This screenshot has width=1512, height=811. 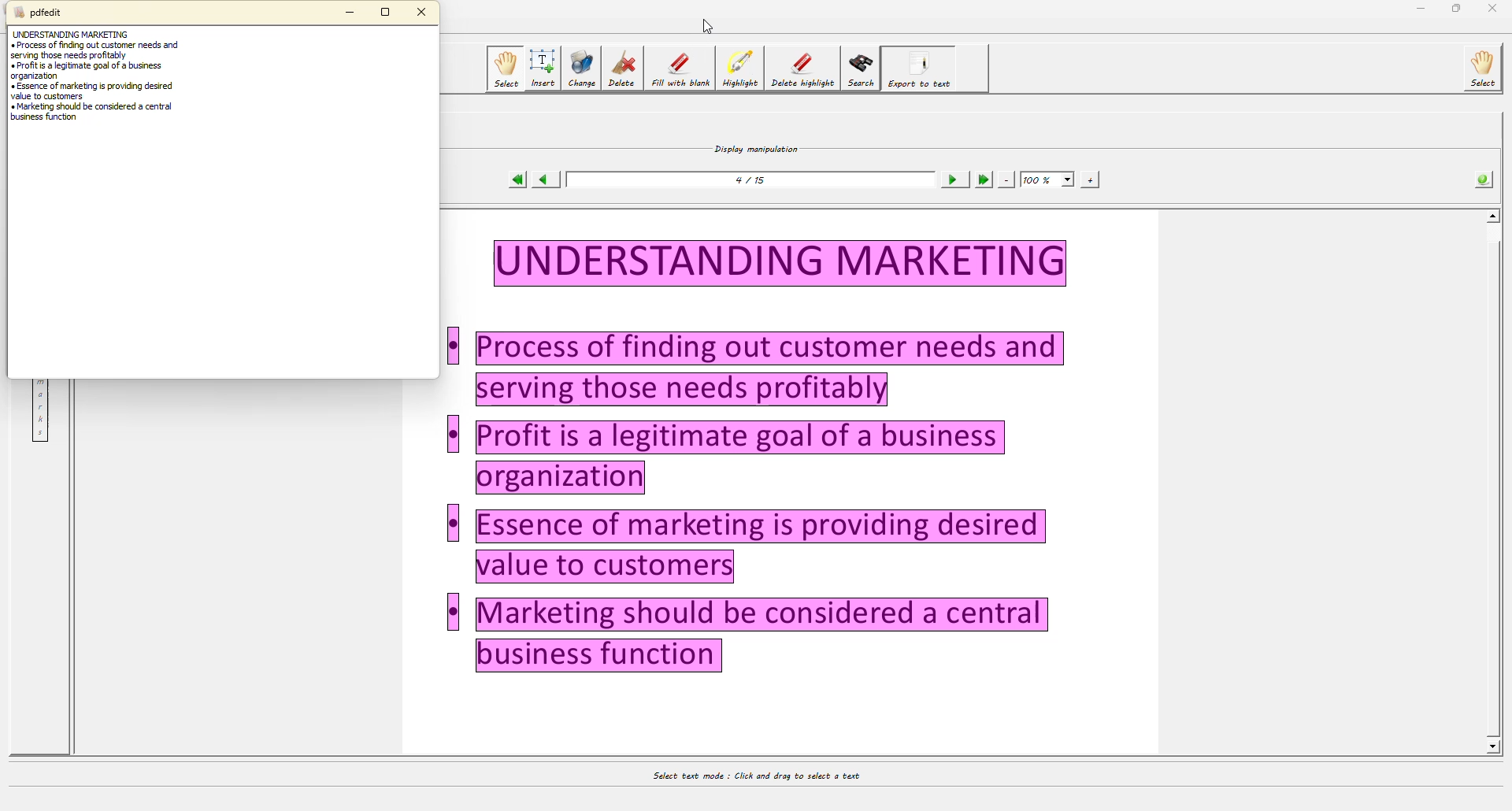 What do you see at coordinates (39, 412) in the screenshot?
I see `bookmarks` at bounding box center [39, 412].